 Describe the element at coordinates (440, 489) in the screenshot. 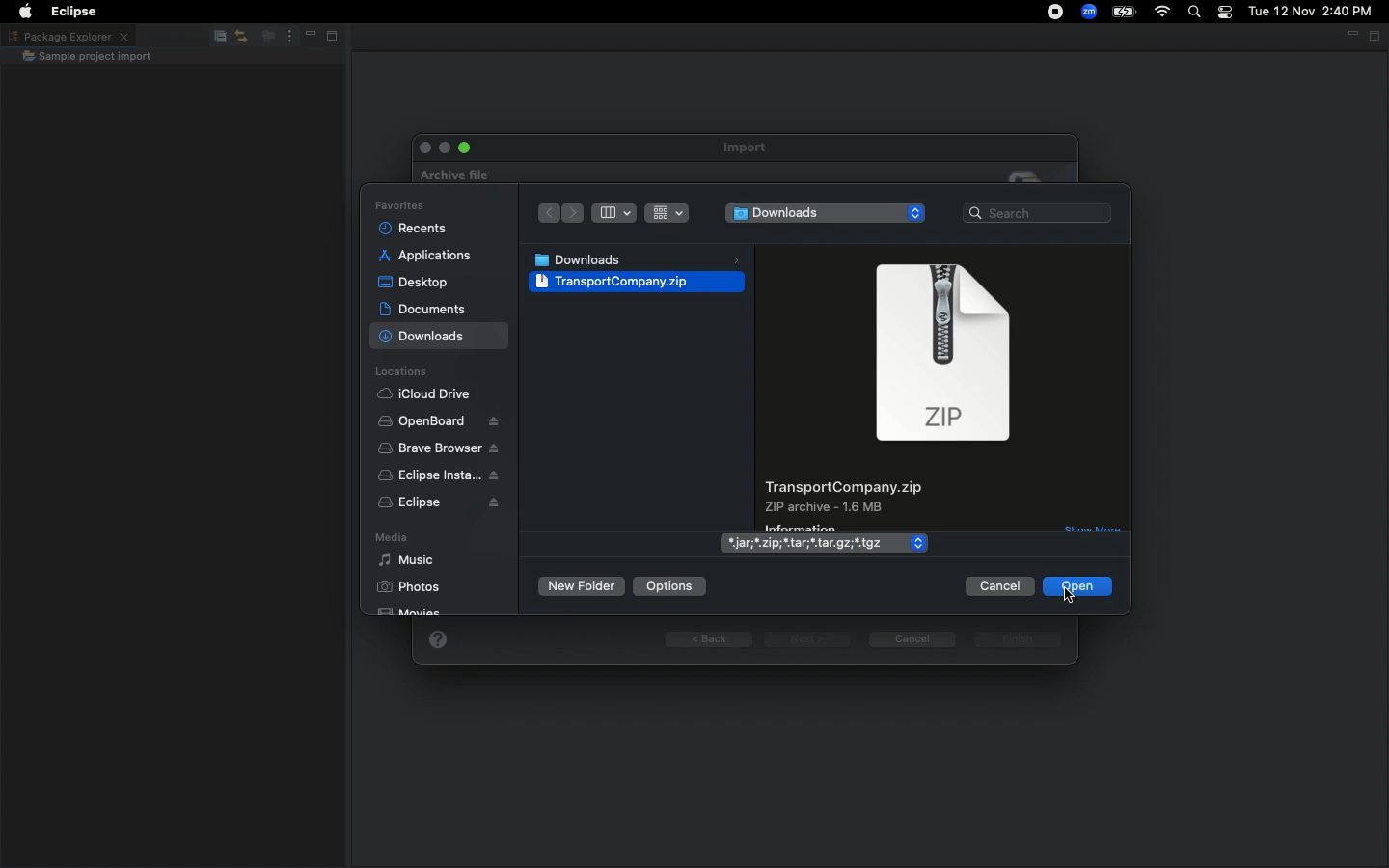

I see `Eclipse` at that location.